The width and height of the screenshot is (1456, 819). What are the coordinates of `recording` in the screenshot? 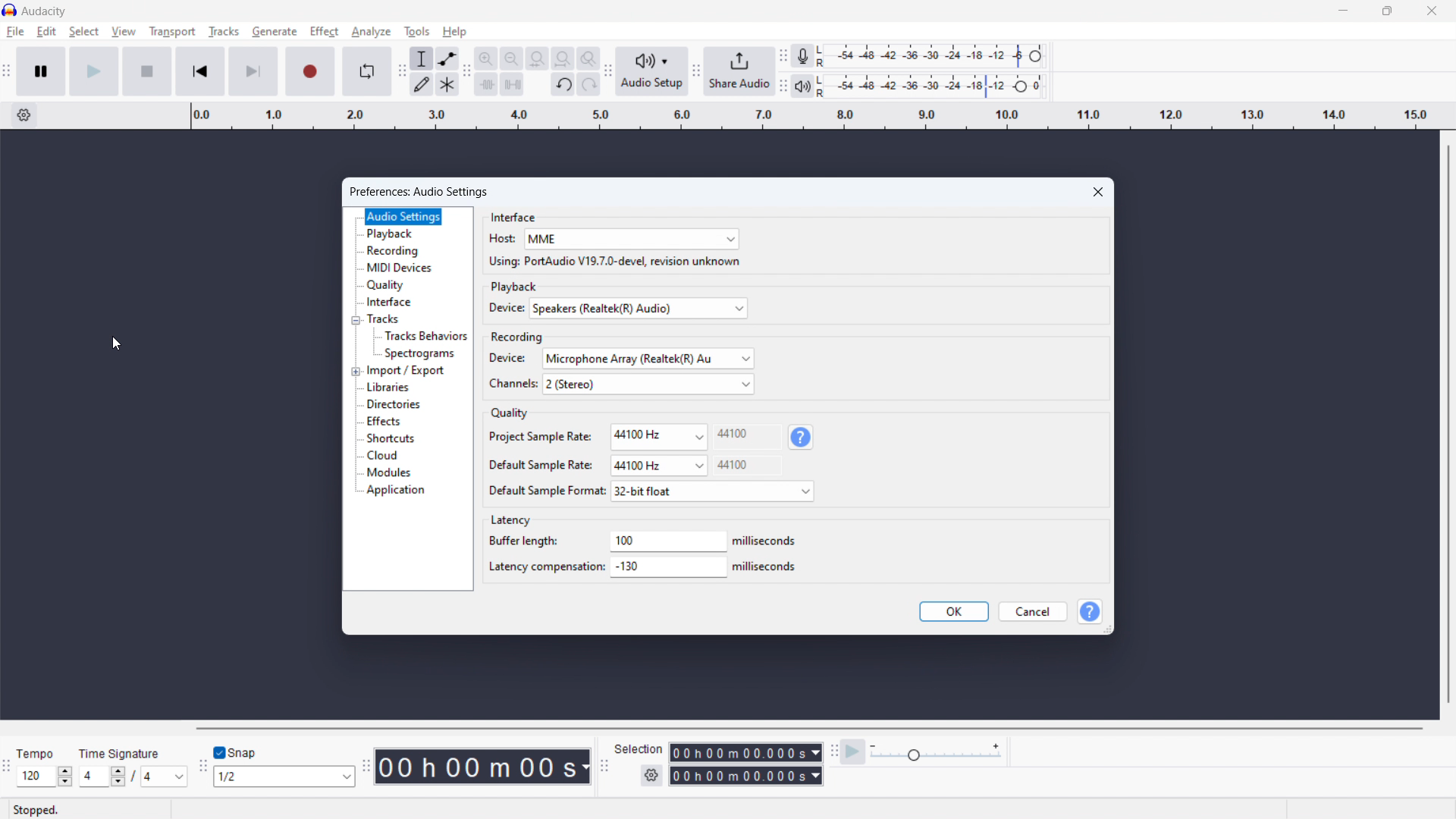 It's located at (518, 334).